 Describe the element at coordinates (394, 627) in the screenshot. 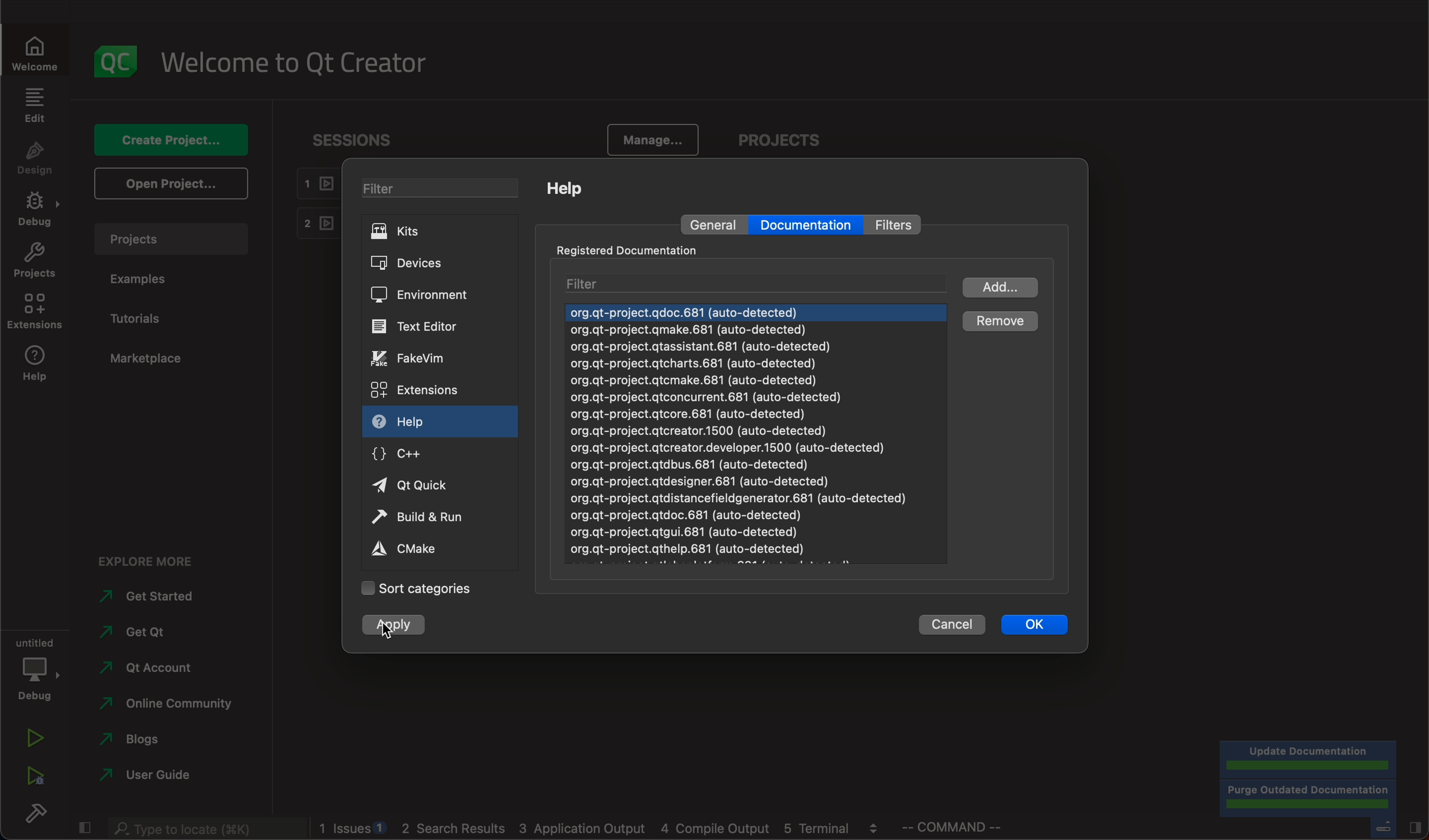

I see `clicked` at that location.